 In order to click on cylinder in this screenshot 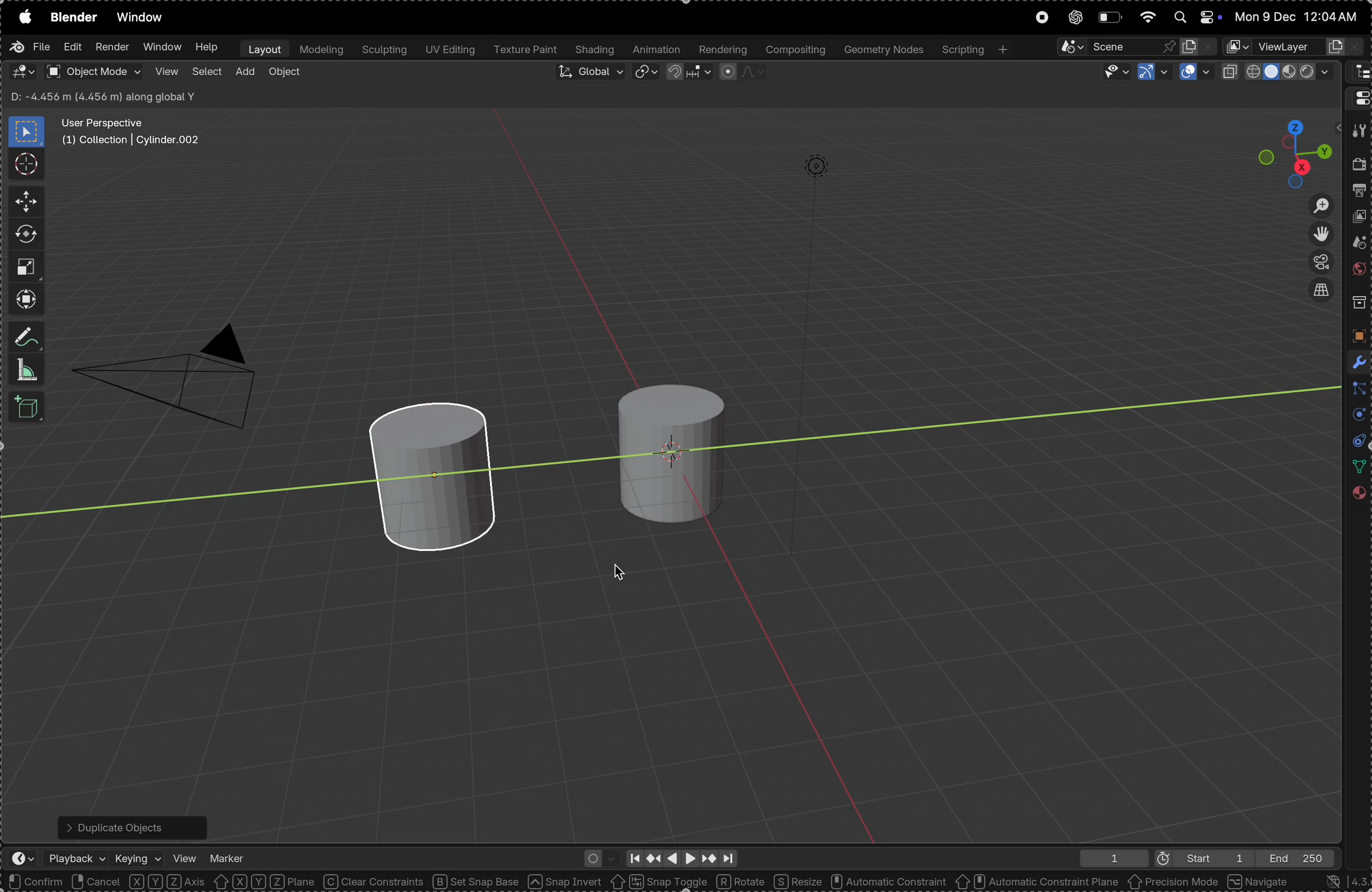, I will do `click(664, 447)`.